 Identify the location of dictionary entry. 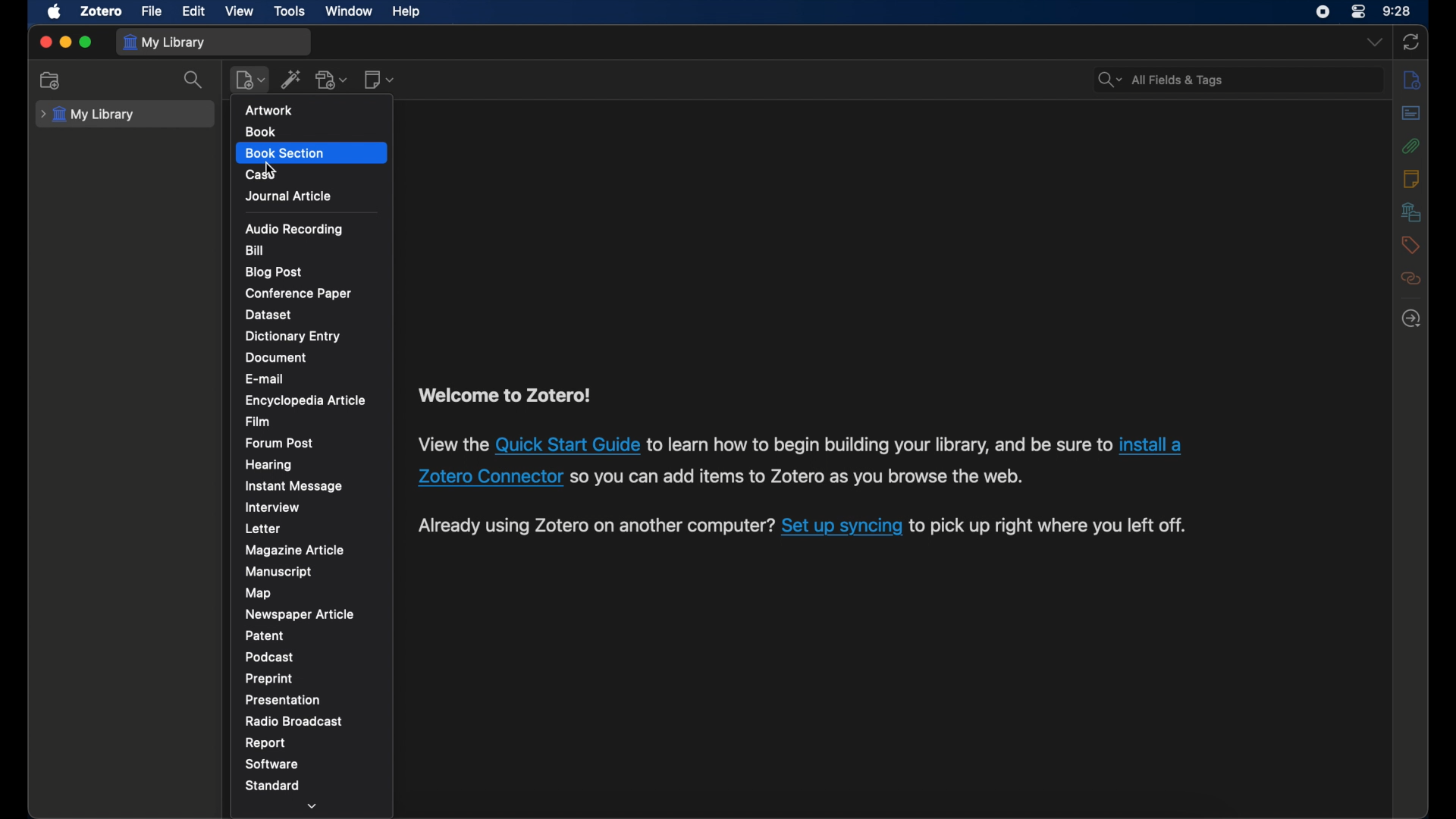
(294, 336).